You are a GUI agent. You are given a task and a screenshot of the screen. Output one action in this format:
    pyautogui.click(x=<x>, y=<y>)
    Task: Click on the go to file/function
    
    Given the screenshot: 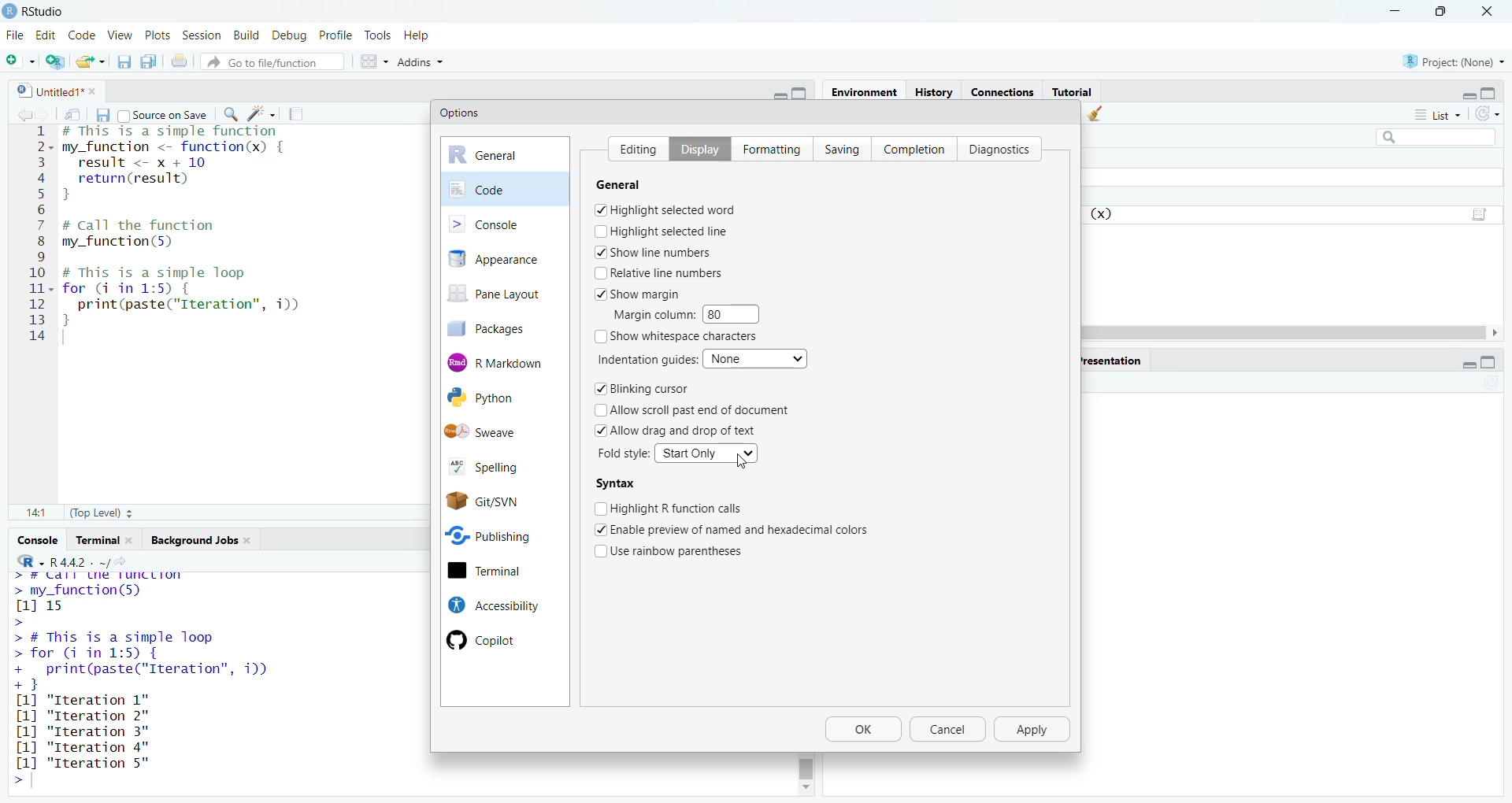 What is the action you would take?
    pyautogui.click(x=273, y=60)
    